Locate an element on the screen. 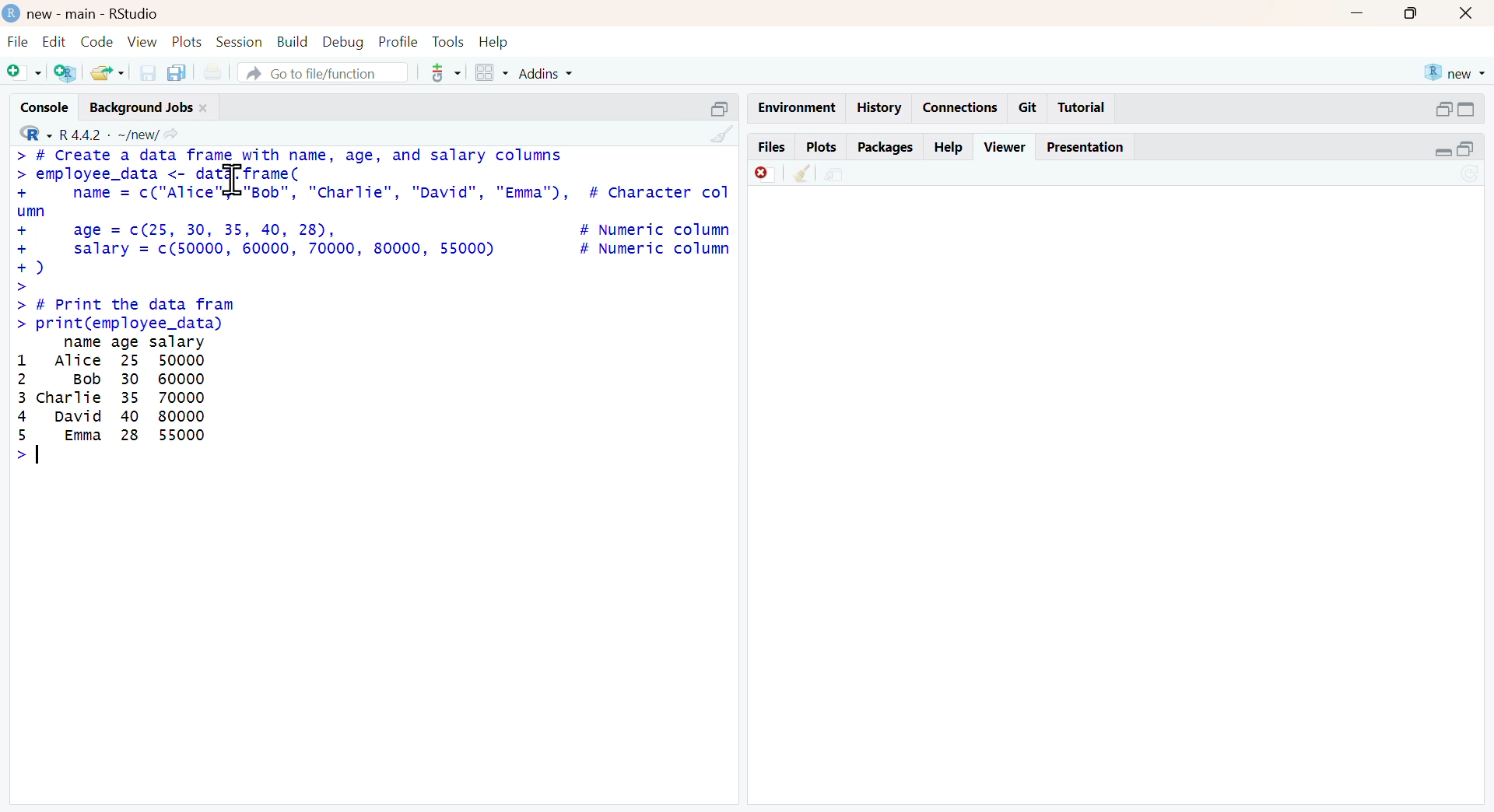 This screenshot has height=812, width=1494. Plots is located at coordinates (819, 147).